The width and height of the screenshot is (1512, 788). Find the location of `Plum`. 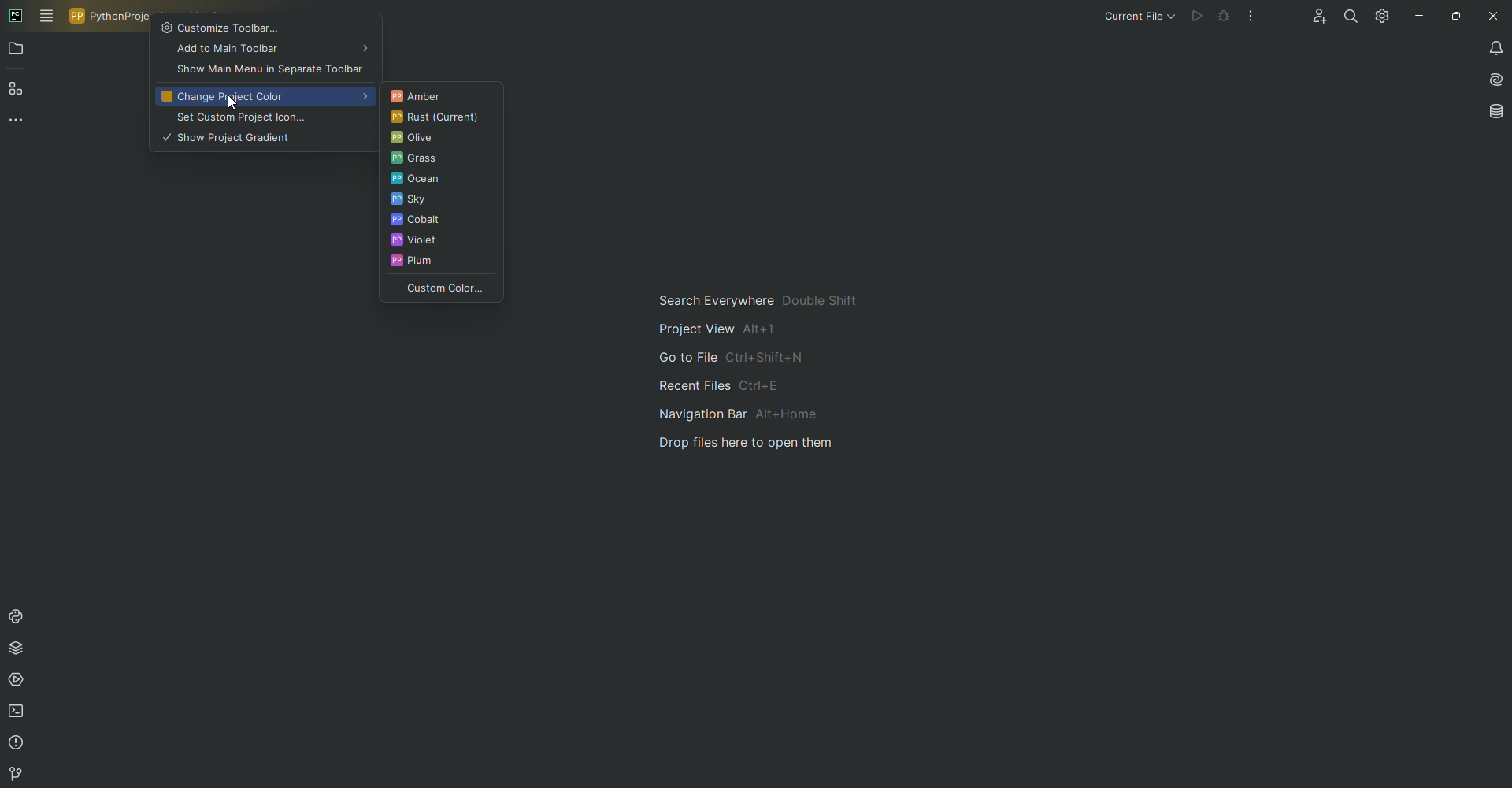

Plum is located at coordinates (442, 265).